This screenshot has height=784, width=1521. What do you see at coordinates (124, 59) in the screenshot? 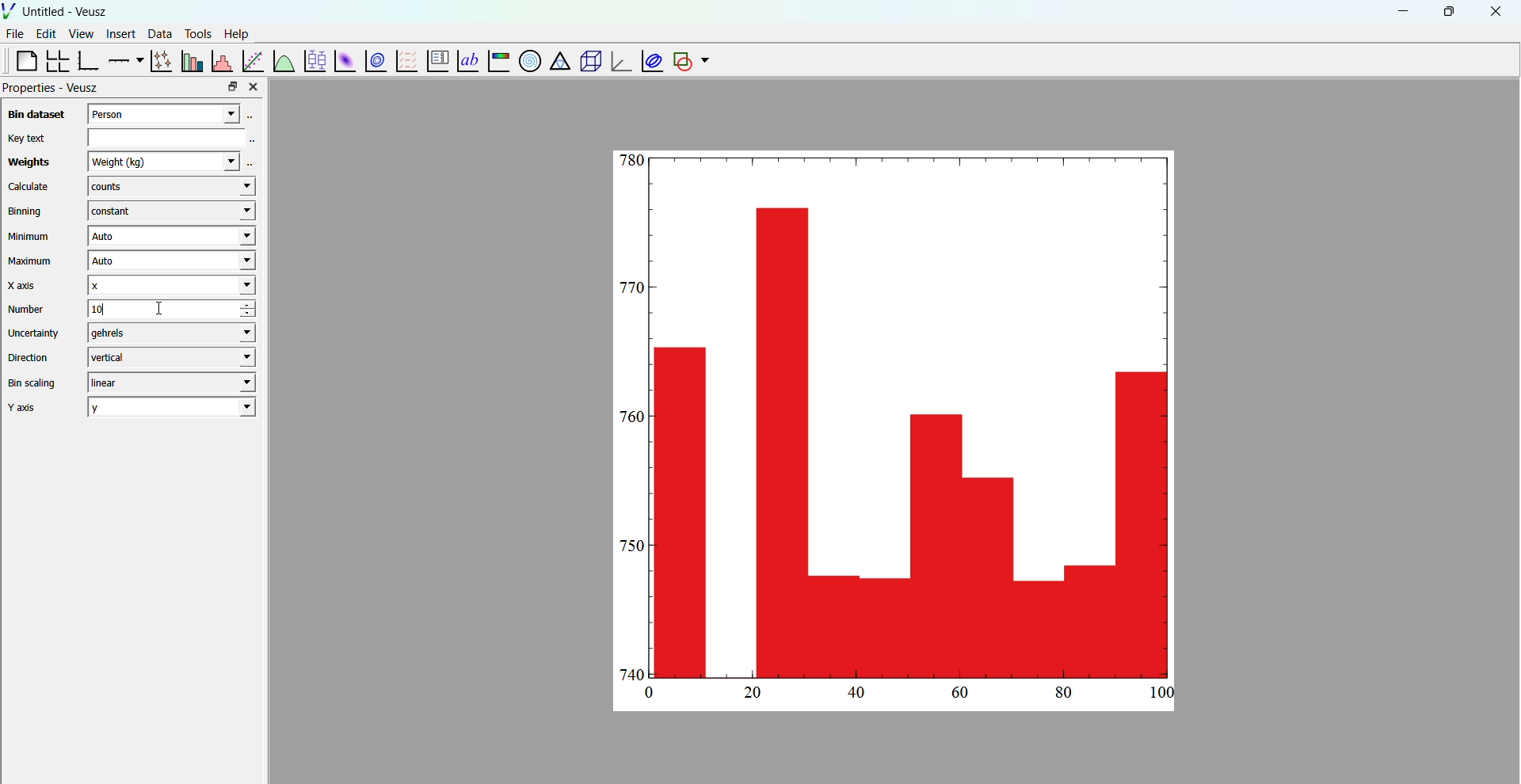
I see `add an axis to a plot` at bounding box center [124, 59].